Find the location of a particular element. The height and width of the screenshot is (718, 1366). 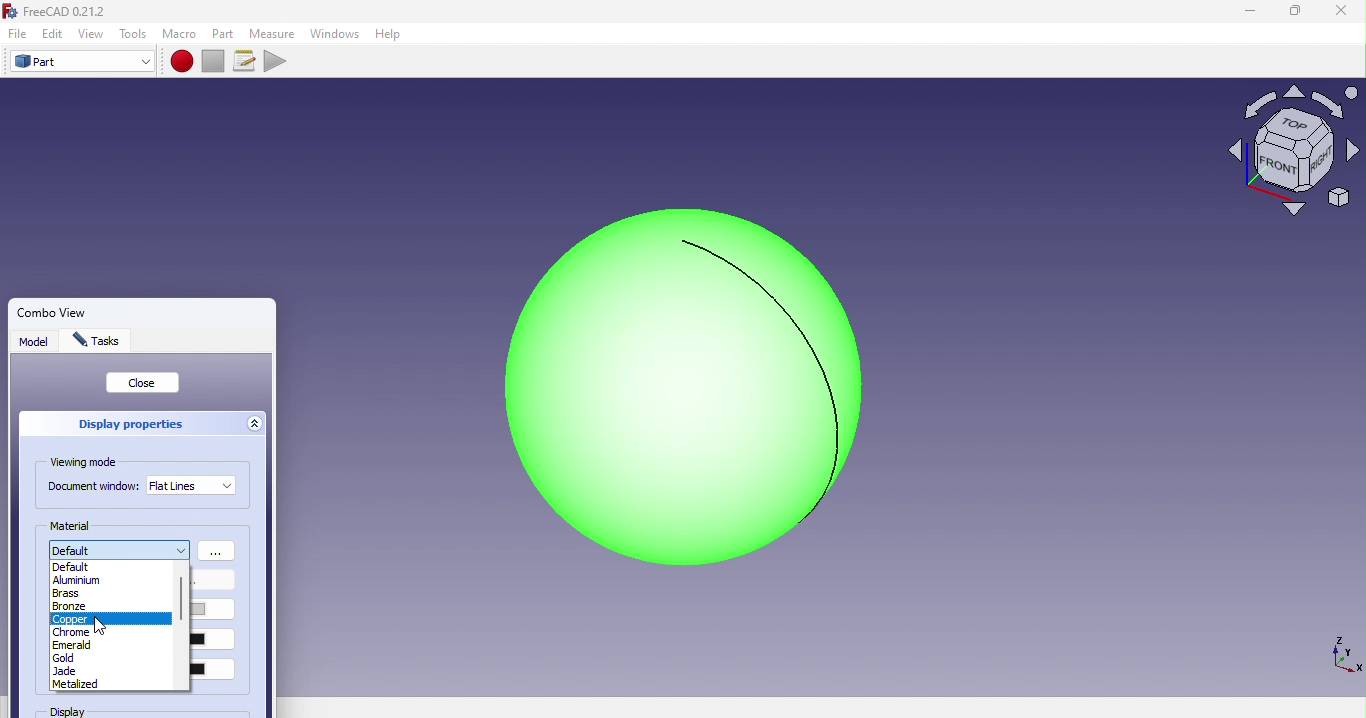

Measure is located at coordinates (272, 34).